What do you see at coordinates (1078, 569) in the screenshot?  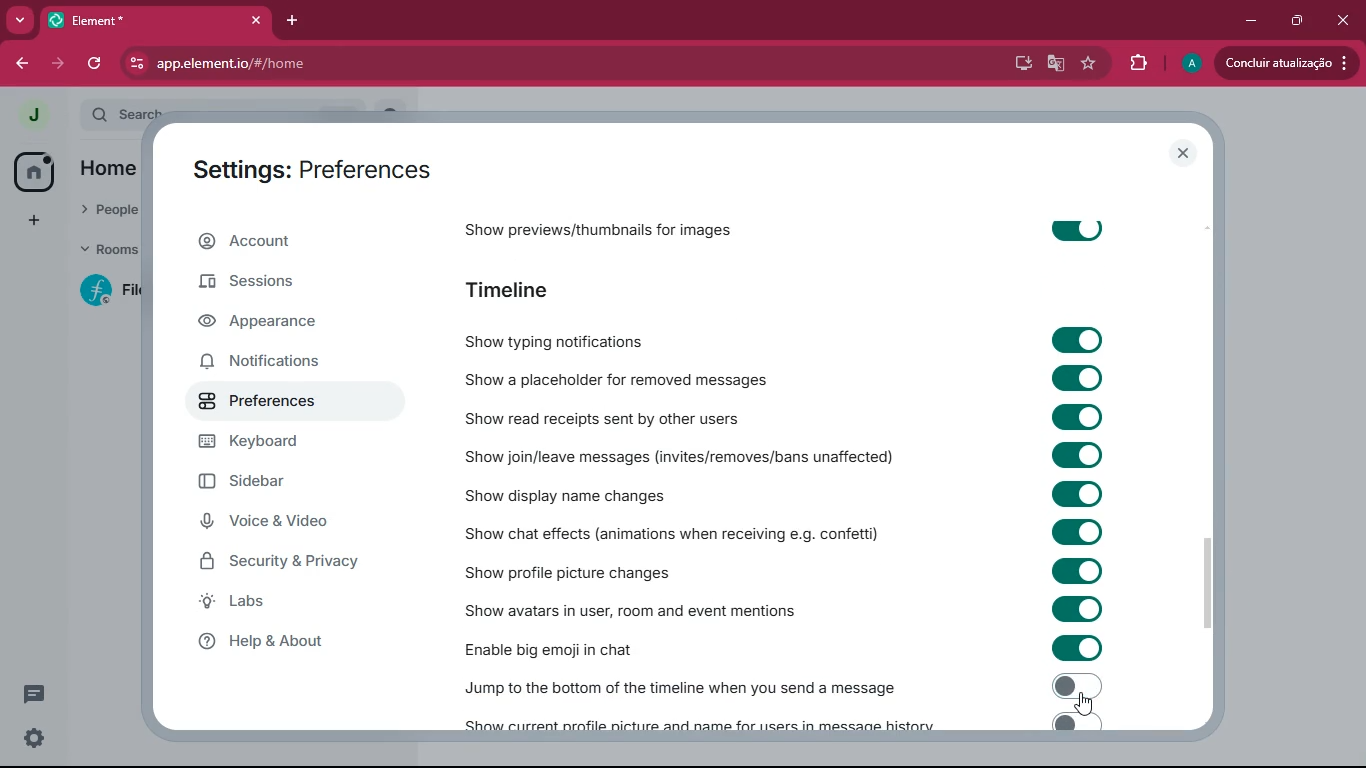 I see `toggle on ` at bounding box center [1078, 569].